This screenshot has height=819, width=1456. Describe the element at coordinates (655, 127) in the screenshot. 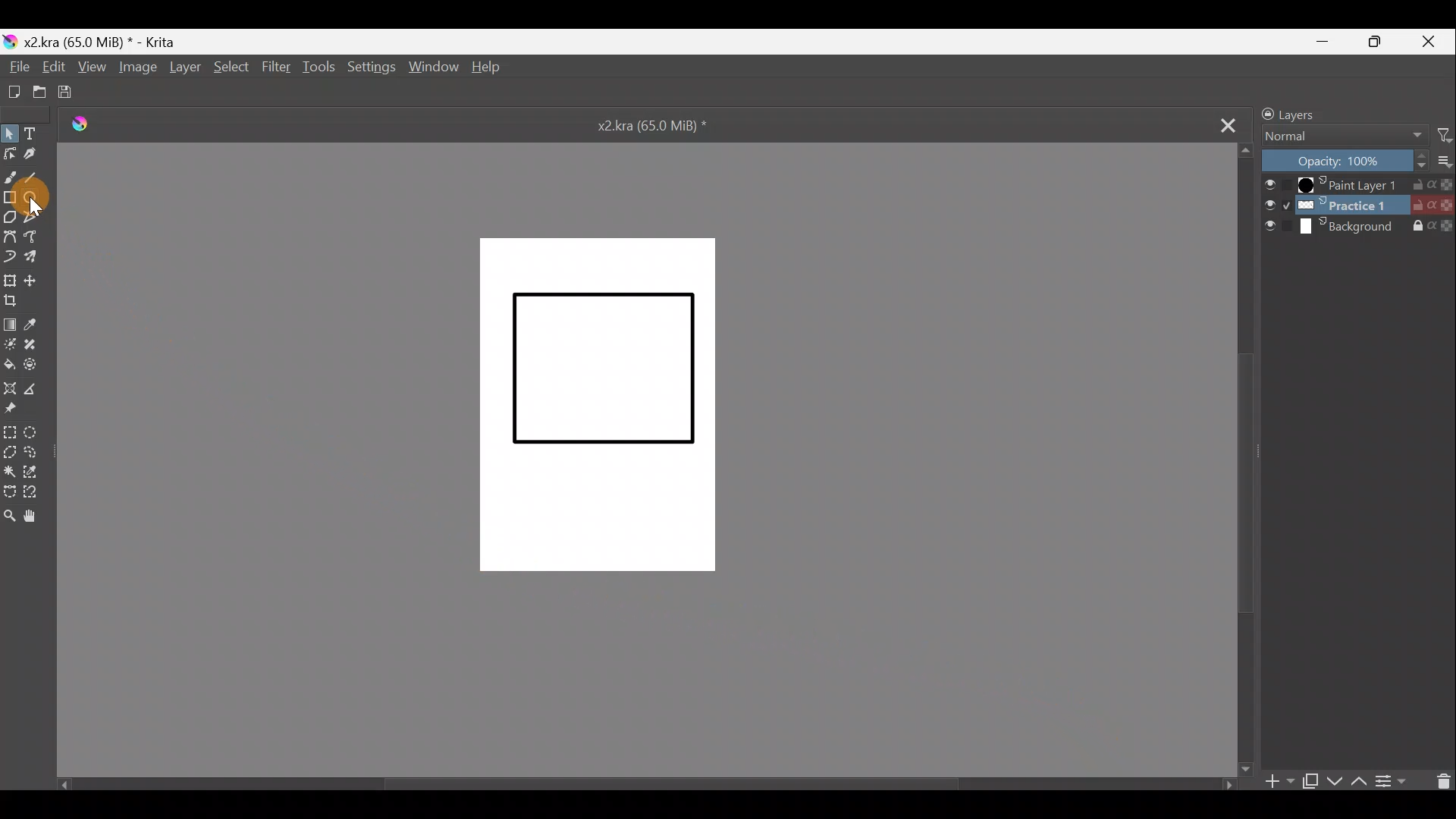

I see `x2.kra (65.0 MiB) *` at that location.